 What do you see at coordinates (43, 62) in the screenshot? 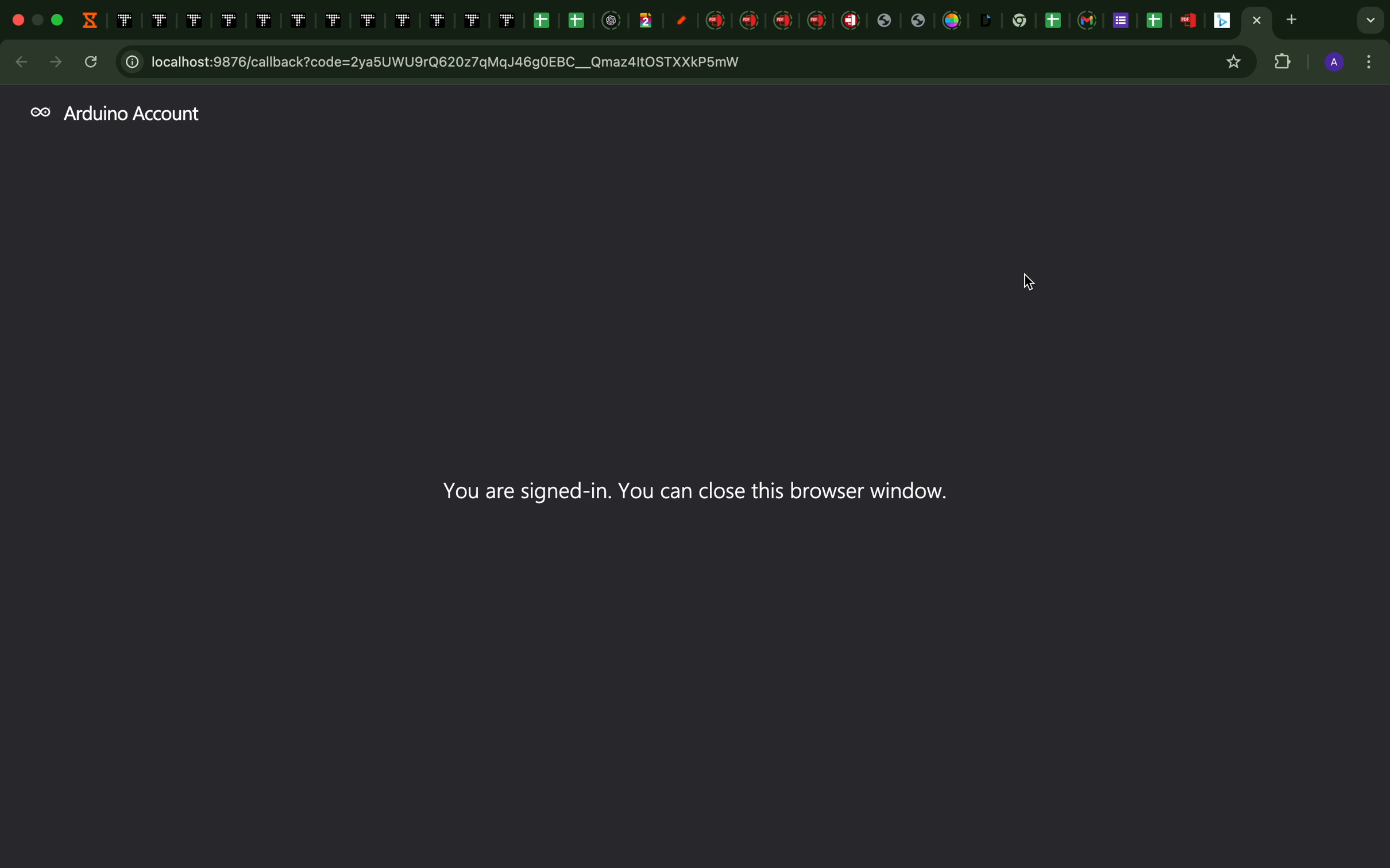
I see `arrows` at bounding box center [43, 62].